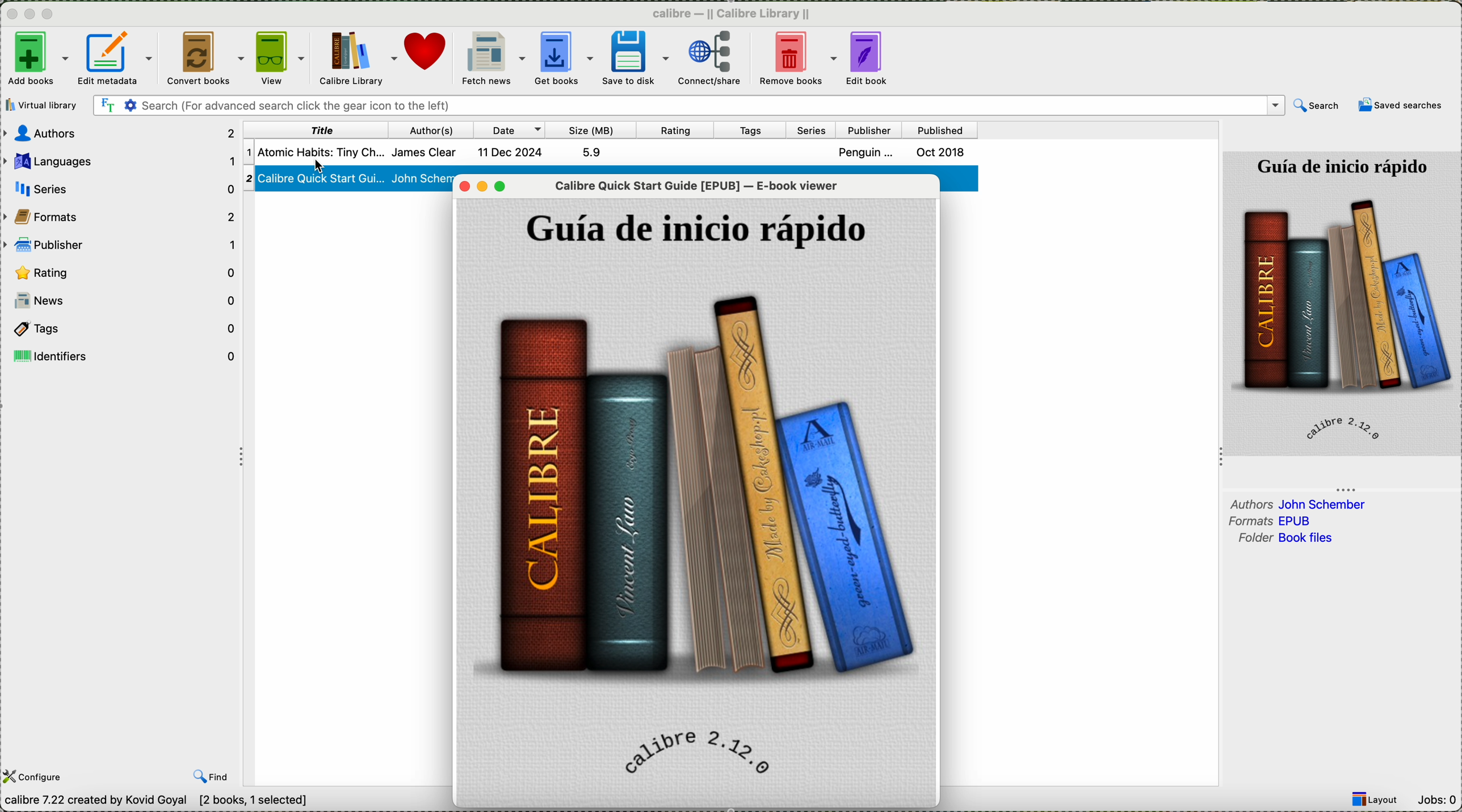 This screenshot has height=812, width=1462. What do you see at coordinates (799, 60) in the screenshot?
I see `remove books` at bounding box center [799, 60].